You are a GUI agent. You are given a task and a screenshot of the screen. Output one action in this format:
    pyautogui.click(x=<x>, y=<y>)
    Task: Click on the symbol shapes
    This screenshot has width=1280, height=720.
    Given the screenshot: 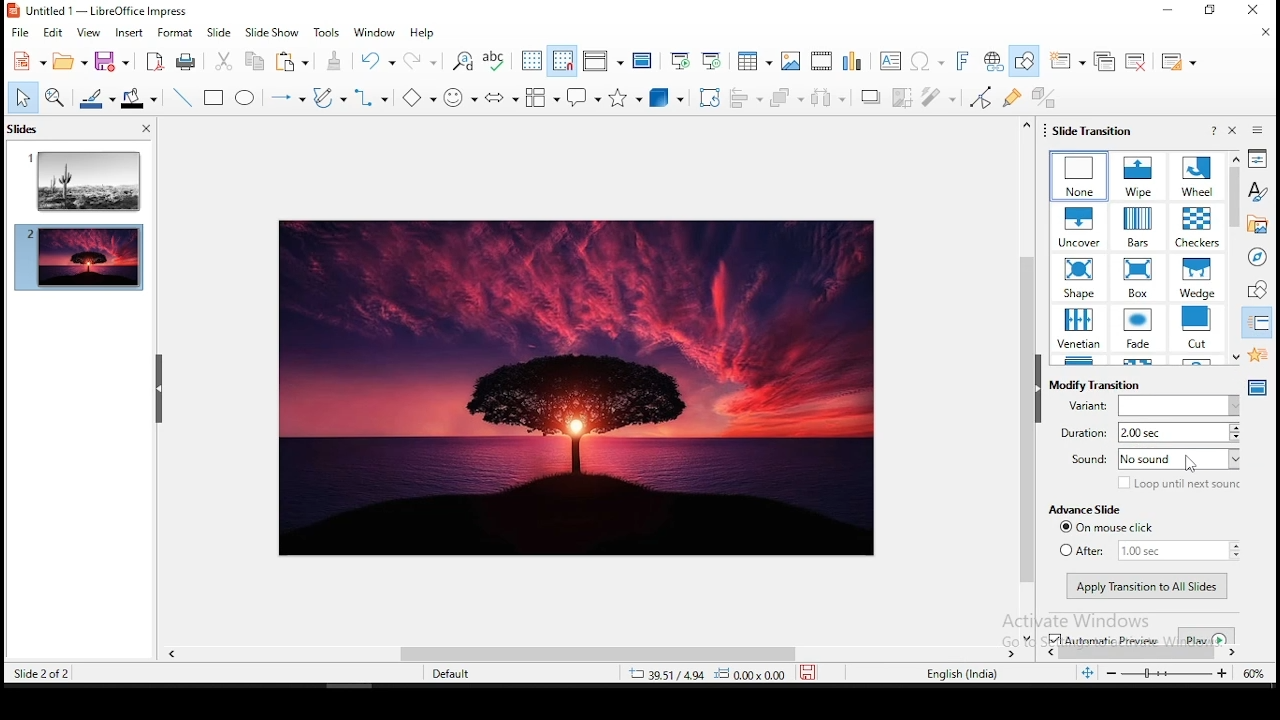 What is the action you would take?
    pyautogui.click(x=459, y=96)
    